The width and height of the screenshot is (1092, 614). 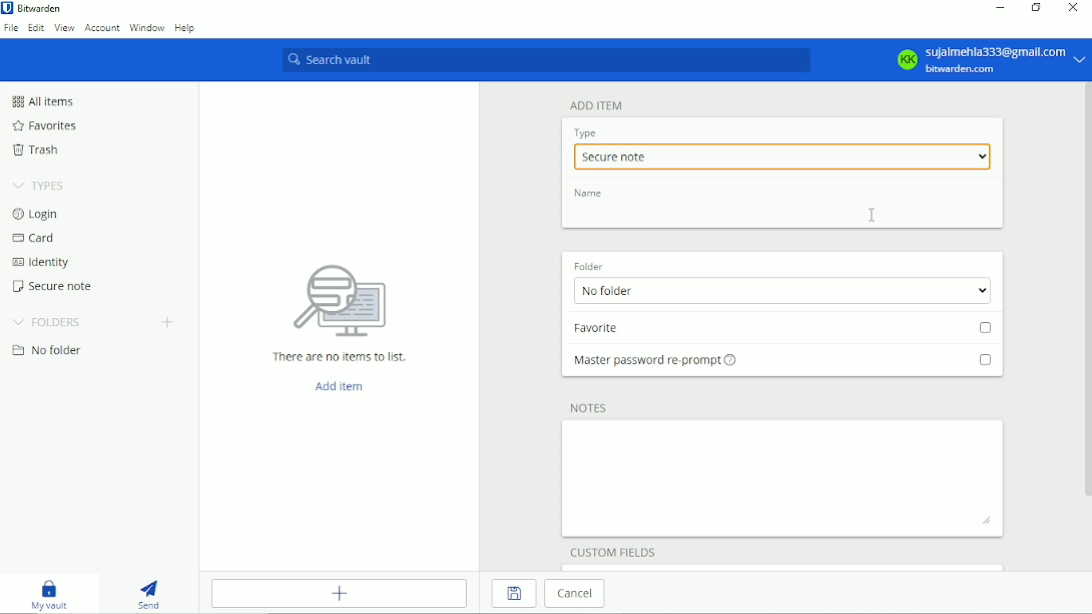 I want to click on Edit, so click(x=37, y=28).